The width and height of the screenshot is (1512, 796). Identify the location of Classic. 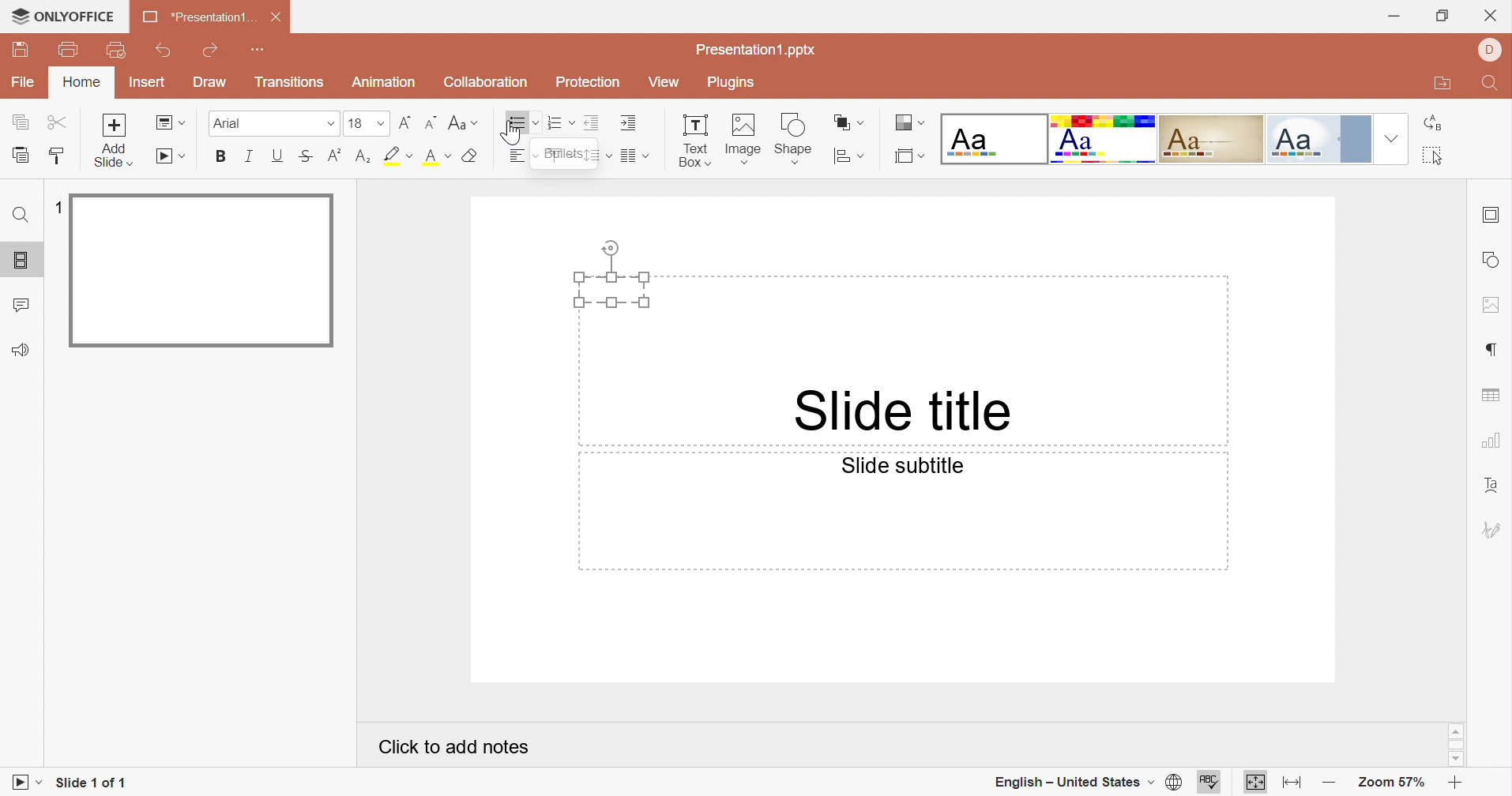
(1213, 140).